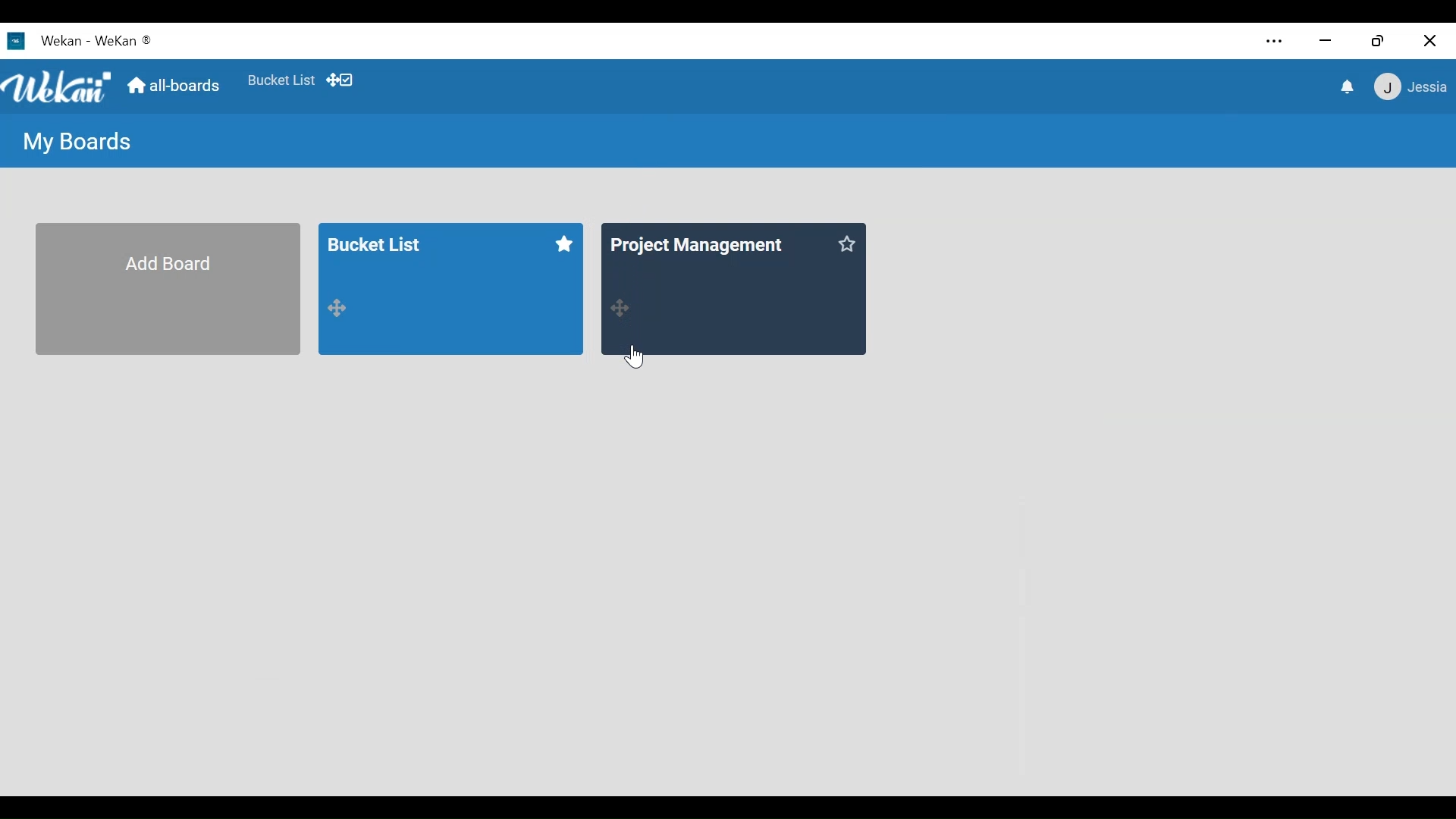  I want to click on Show desktop drag handles, so click(344, 81).